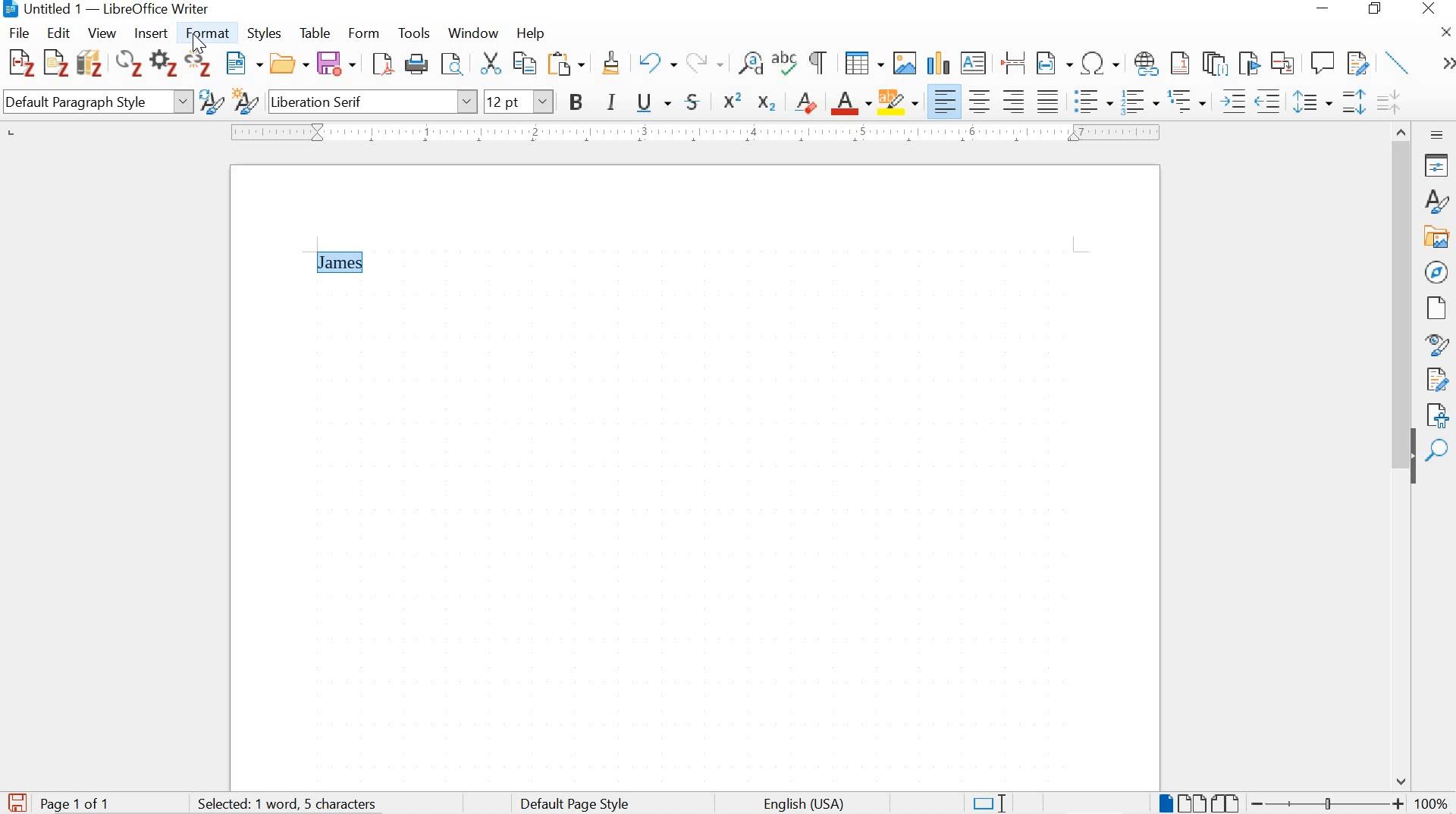  What do you see at coordinates (245, 64) in the screenshot?
I see `new` at bounding box center [245, 64].